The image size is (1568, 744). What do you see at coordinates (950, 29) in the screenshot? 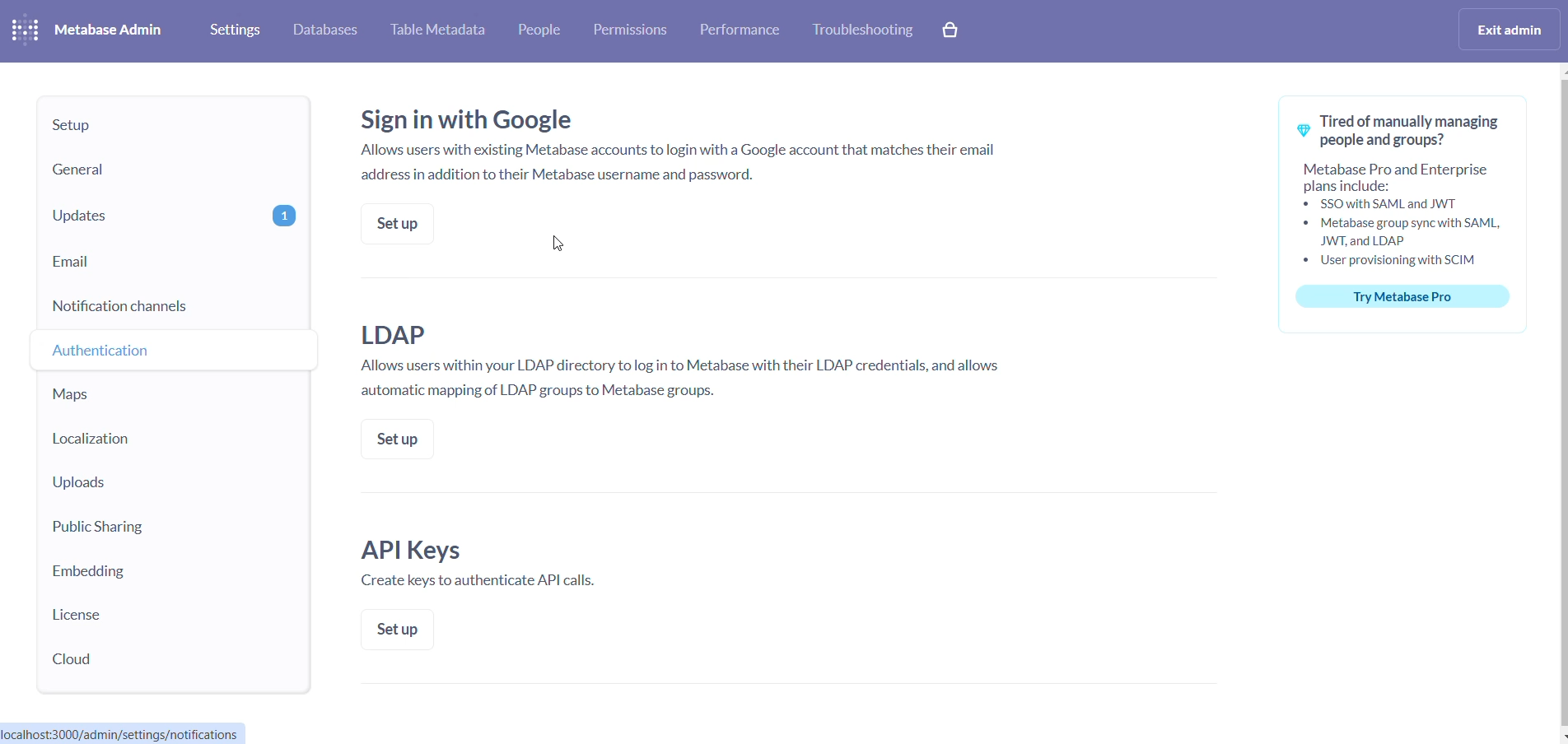
I see `cart` at bounding box center [950, 29].